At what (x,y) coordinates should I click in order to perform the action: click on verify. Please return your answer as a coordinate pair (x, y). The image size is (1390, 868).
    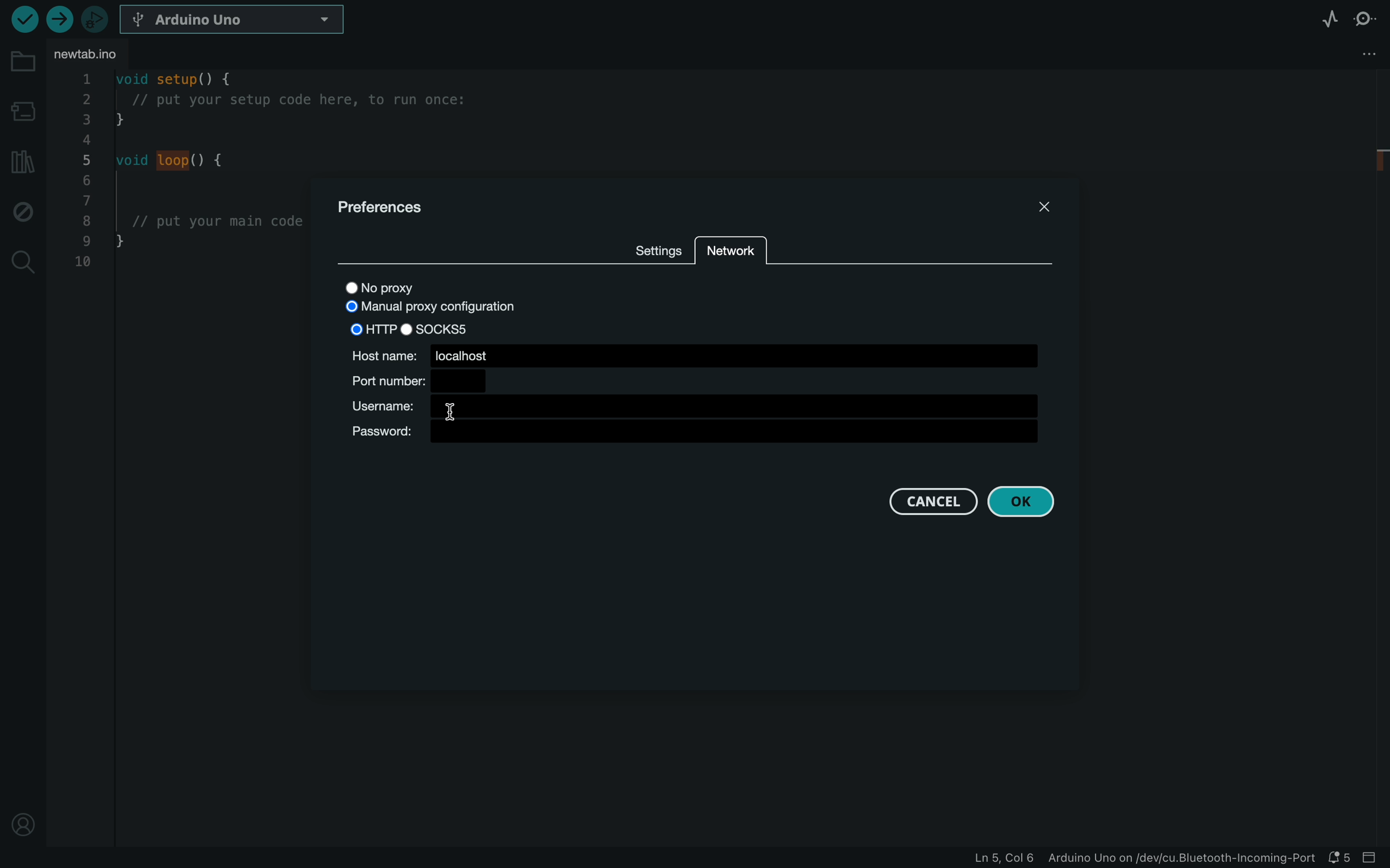
    Looking at the image, I should click on (23, 19).